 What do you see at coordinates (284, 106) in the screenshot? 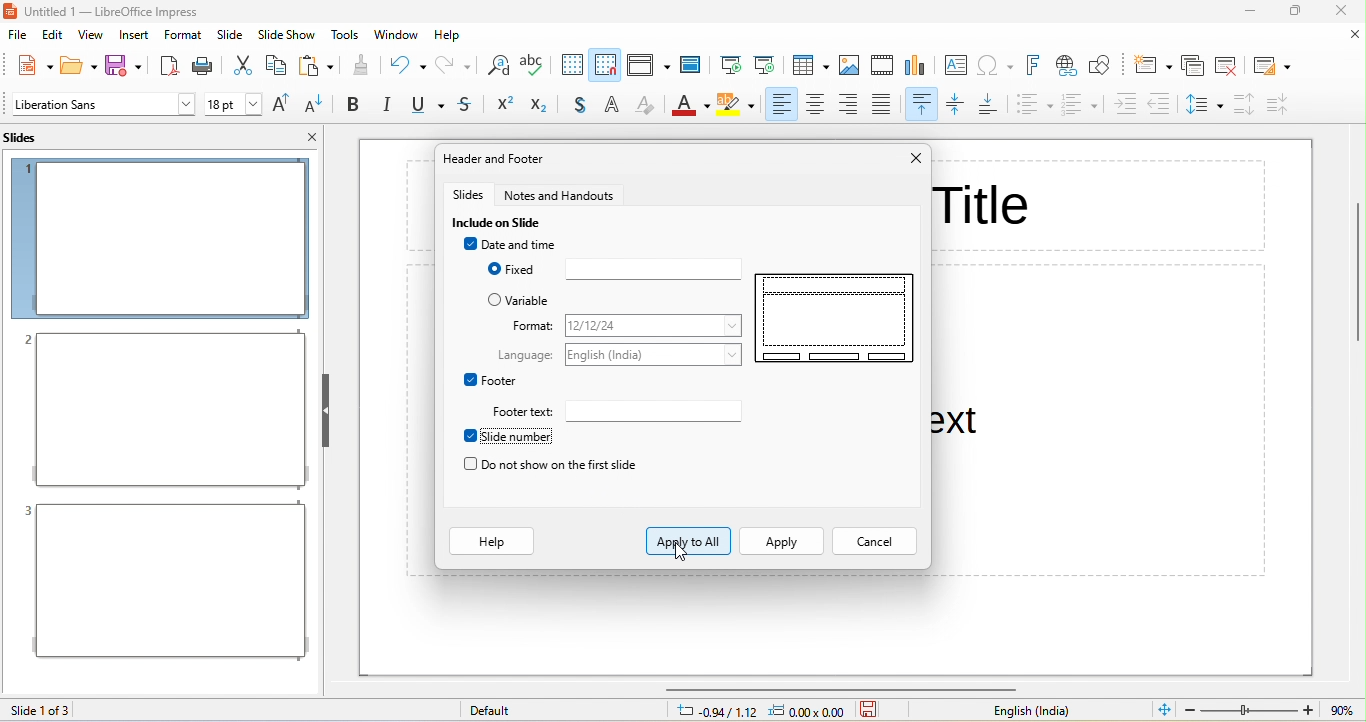
I see `increase font size` at bounding box center [284, 106].